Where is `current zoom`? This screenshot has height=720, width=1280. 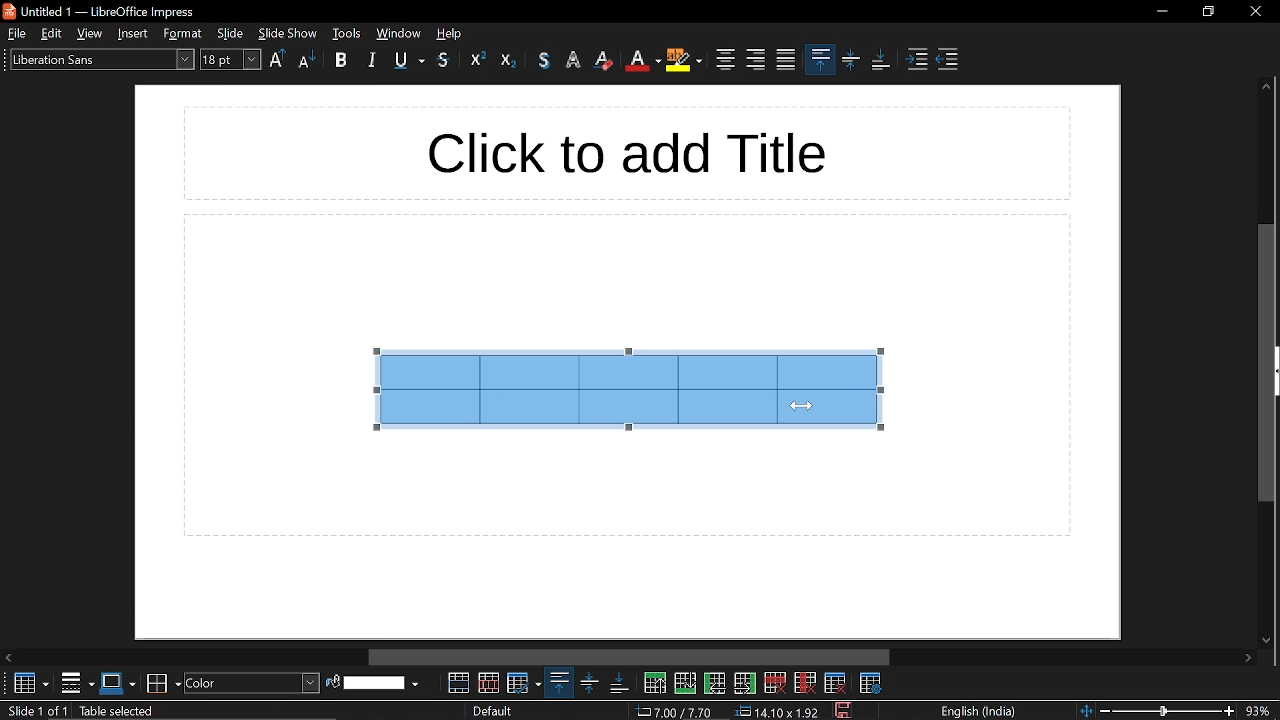
current zoom is located at coordinates (1263, 710).